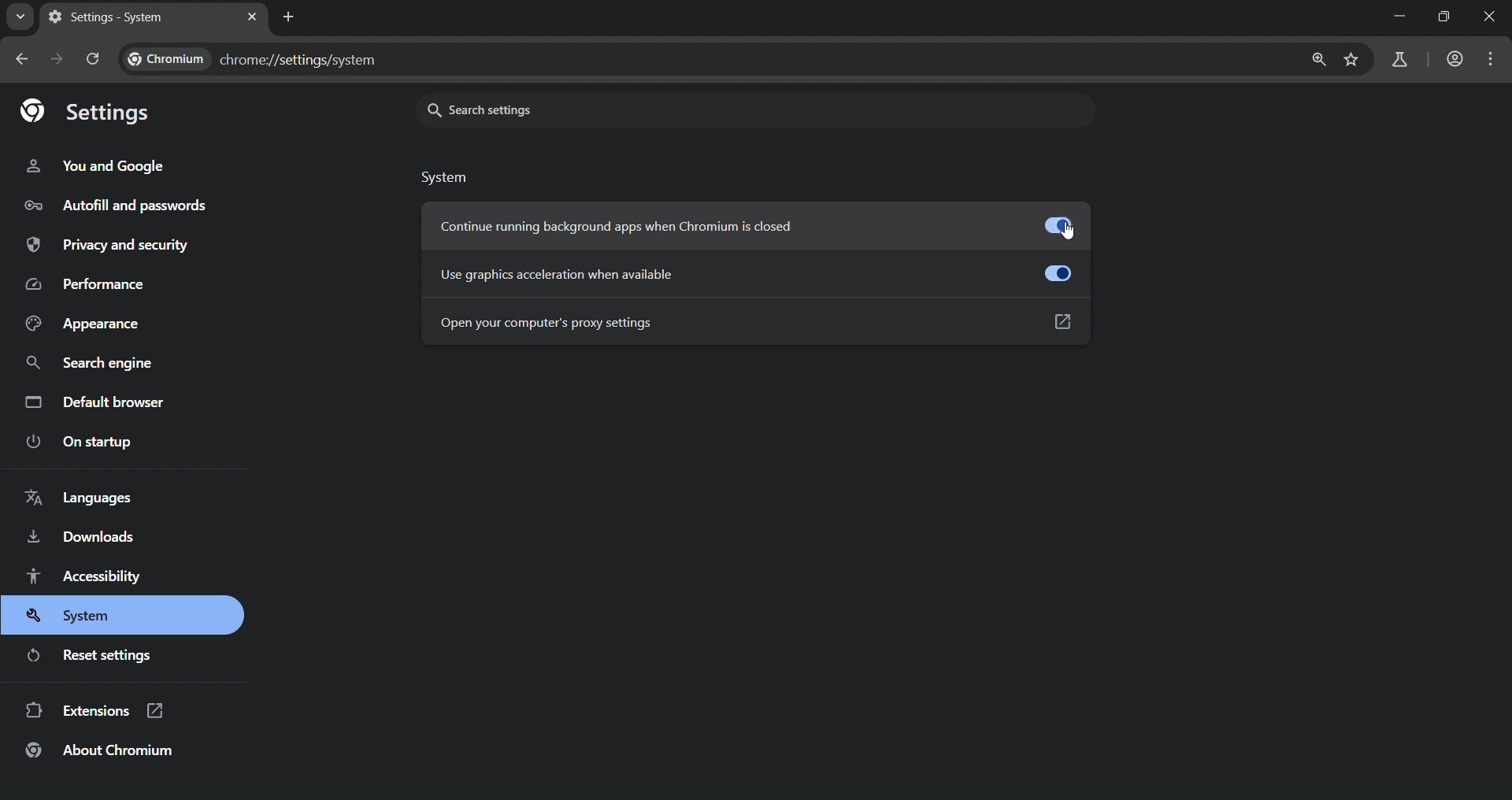 The height and width of the screenshot is (800, 1512). Describe the element at coordinates (57, 61) in the screenshot. I see `go forward one page` at that location.